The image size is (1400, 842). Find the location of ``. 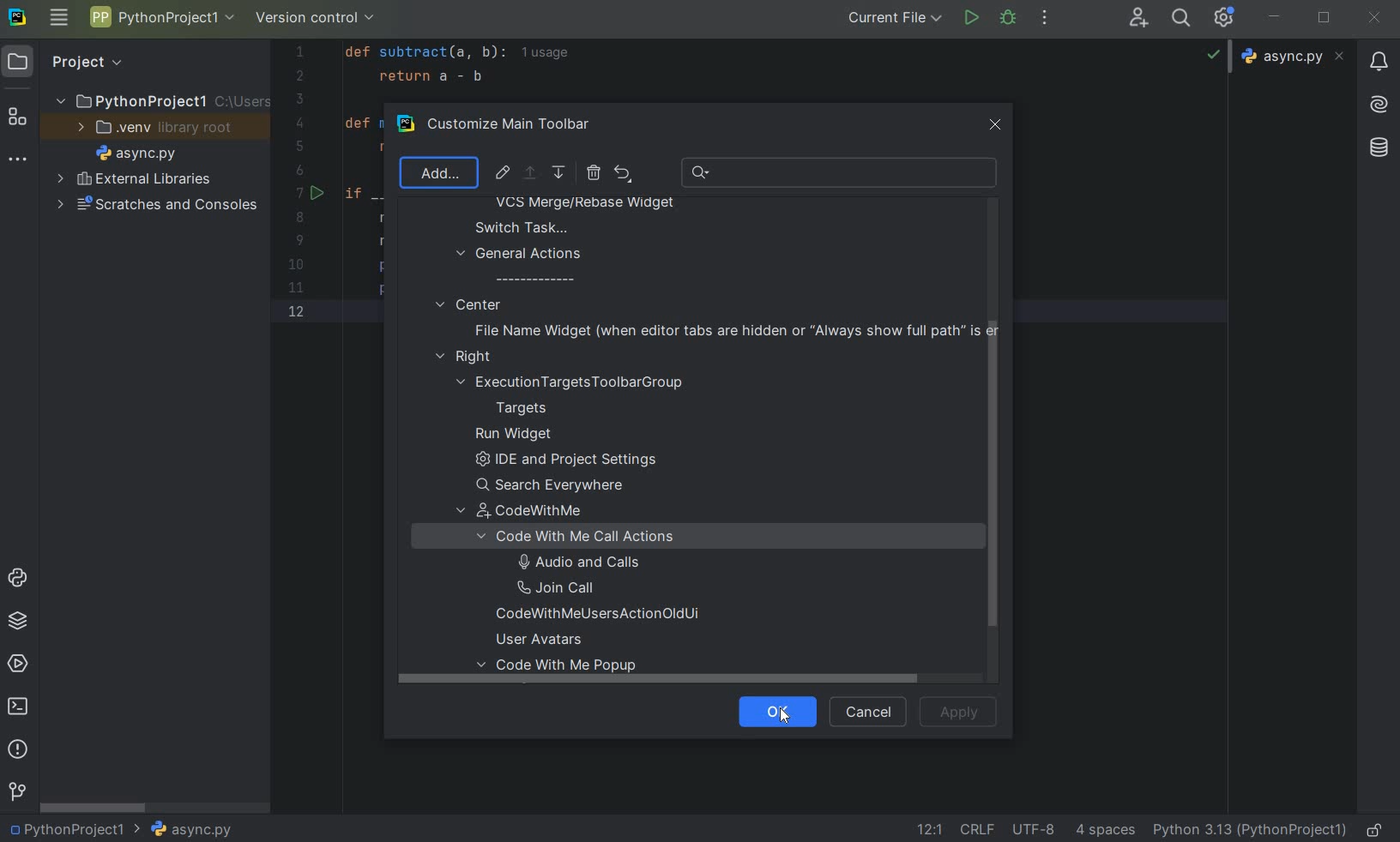

 is located at coordinates (1377, 148).